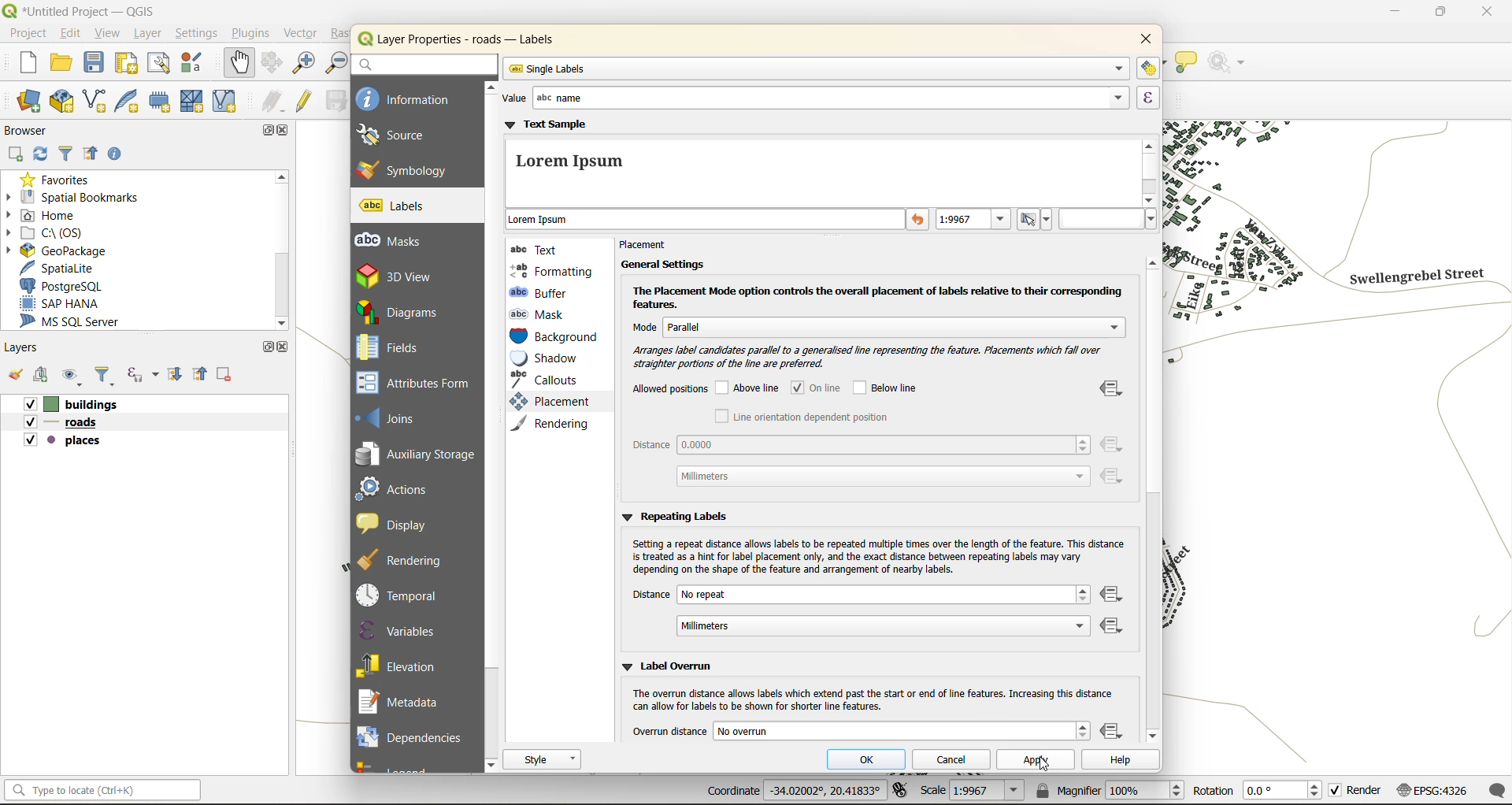 This screenshot has height=805, width=1512. I want to click on allowed positions, so click(669, 391).